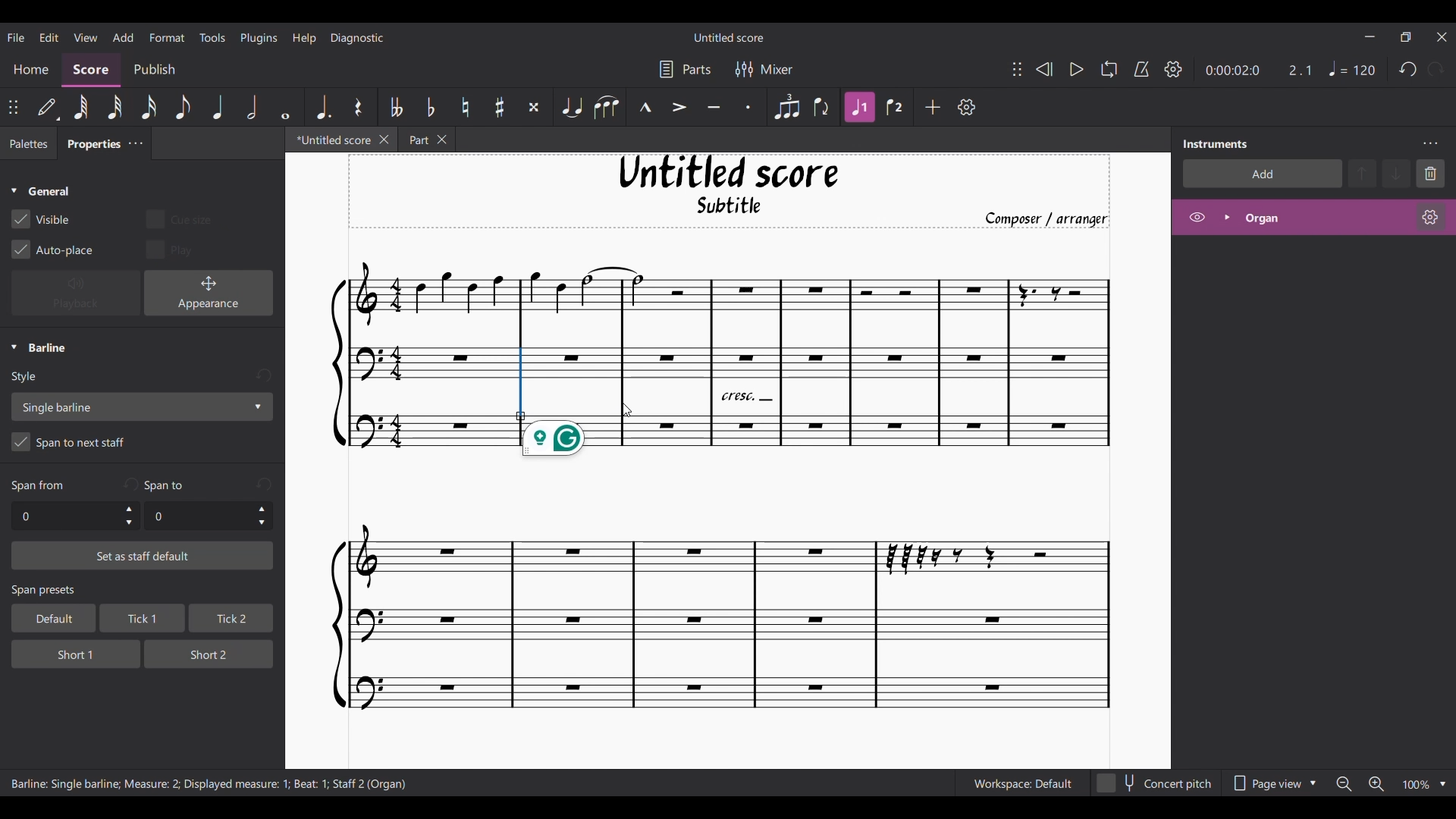 The height and width of the screenshot is (819, 1456). I want to click on Undo input made, so click(130, 484).